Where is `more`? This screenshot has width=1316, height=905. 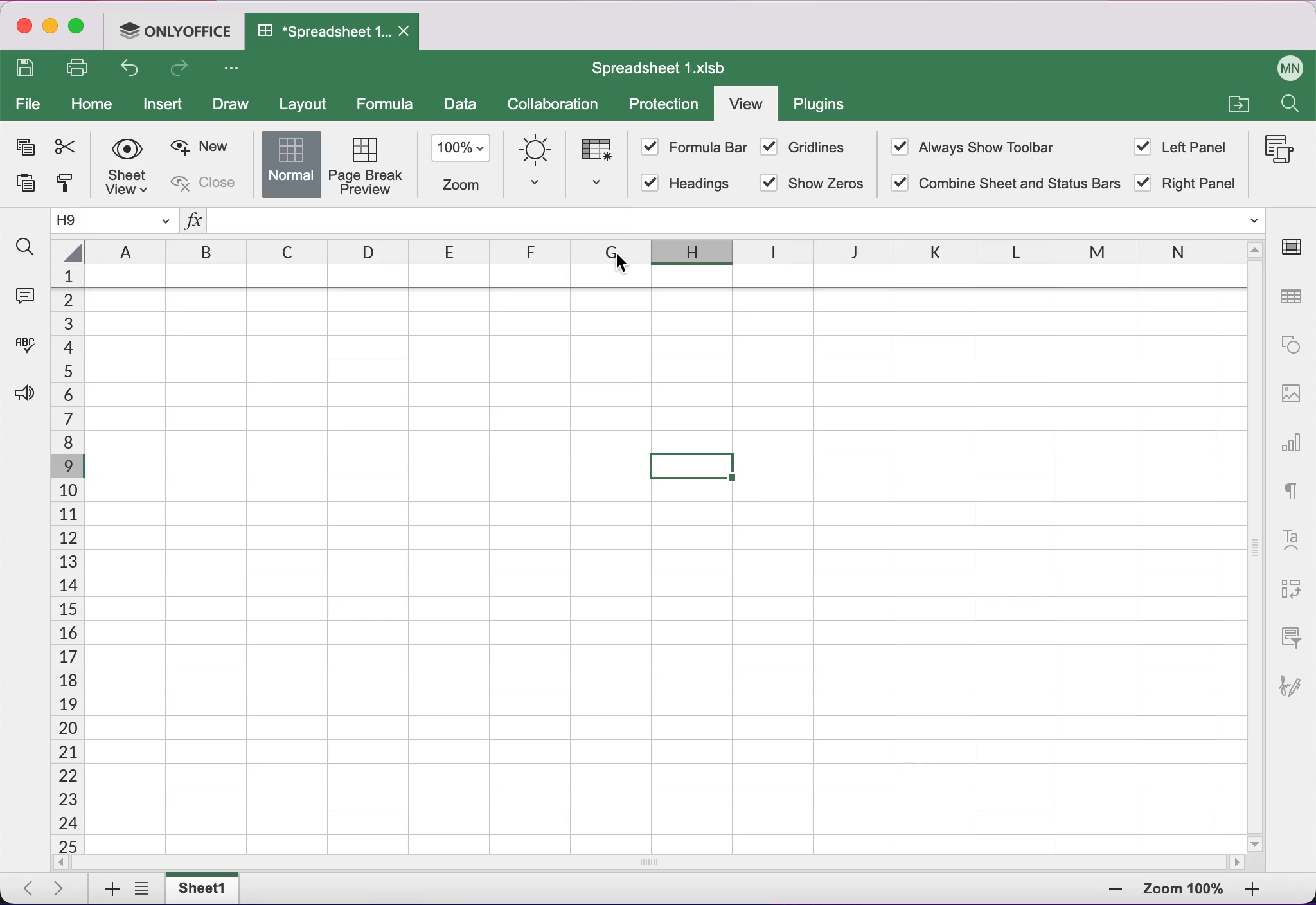
more is located at coordinates (238, 71).